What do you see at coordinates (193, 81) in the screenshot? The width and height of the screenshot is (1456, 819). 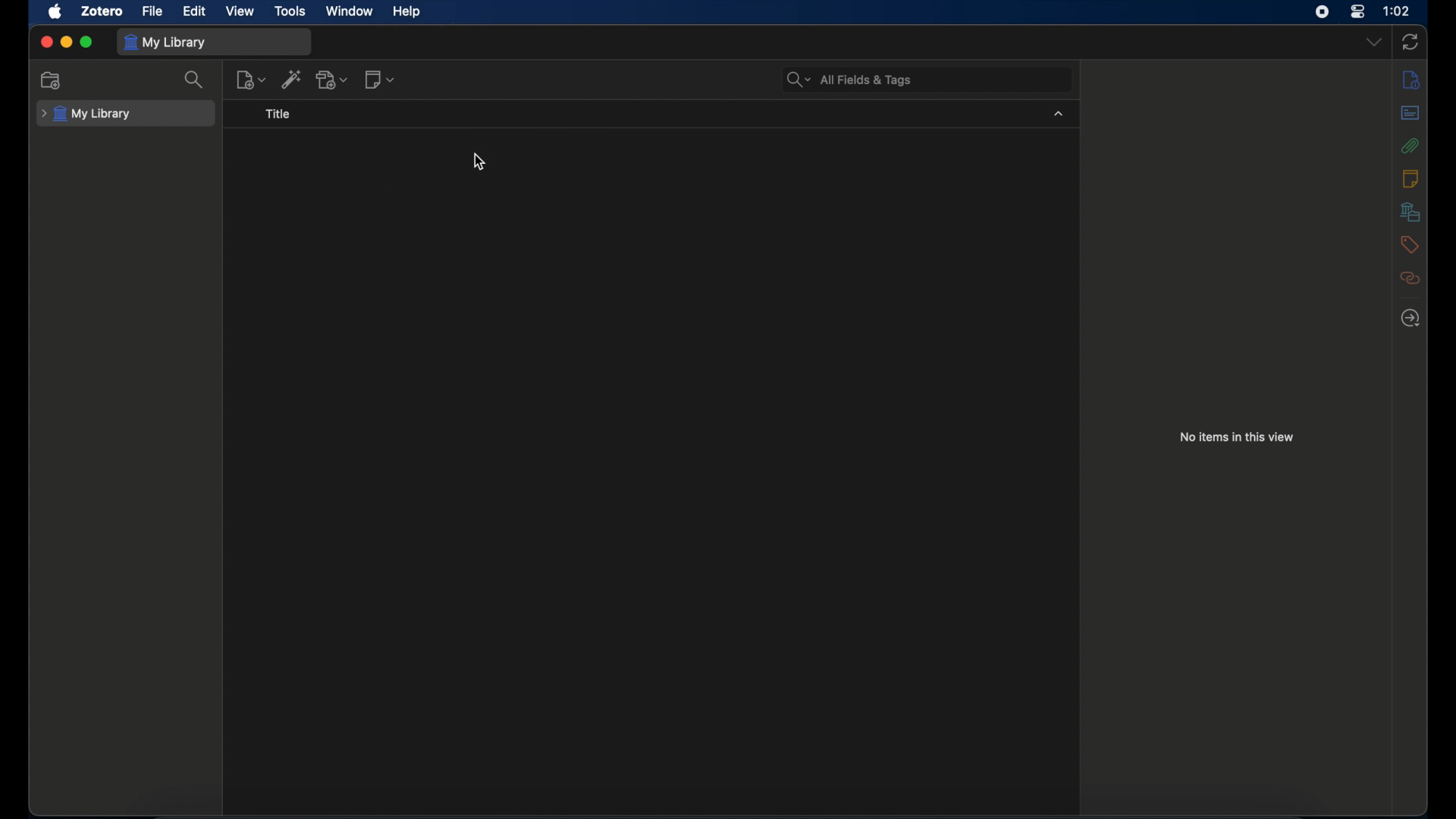 I see `search` at bounding box center [193, 81].